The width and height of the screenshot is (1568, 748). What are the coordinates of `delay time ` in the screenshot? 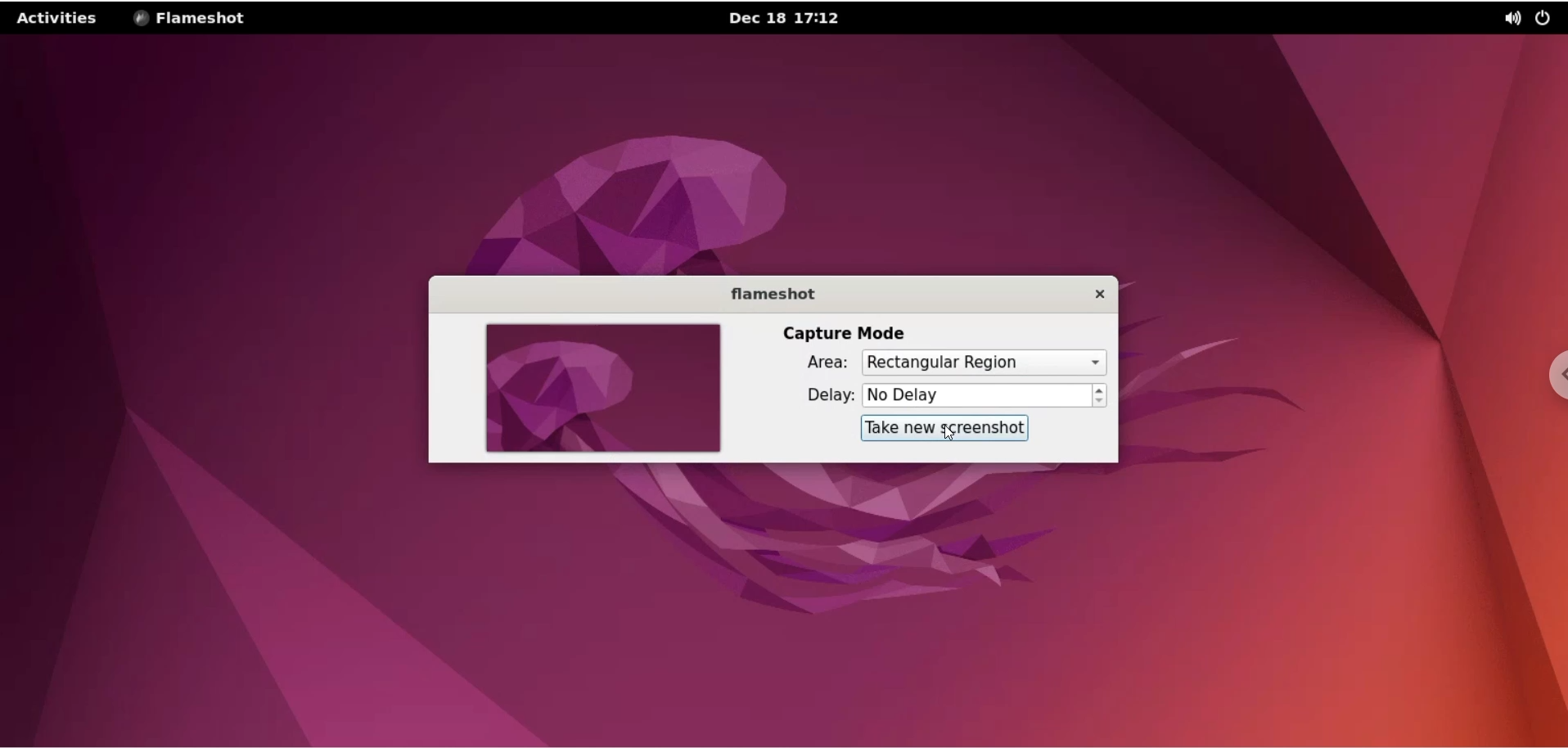 It's located at (976, 396).